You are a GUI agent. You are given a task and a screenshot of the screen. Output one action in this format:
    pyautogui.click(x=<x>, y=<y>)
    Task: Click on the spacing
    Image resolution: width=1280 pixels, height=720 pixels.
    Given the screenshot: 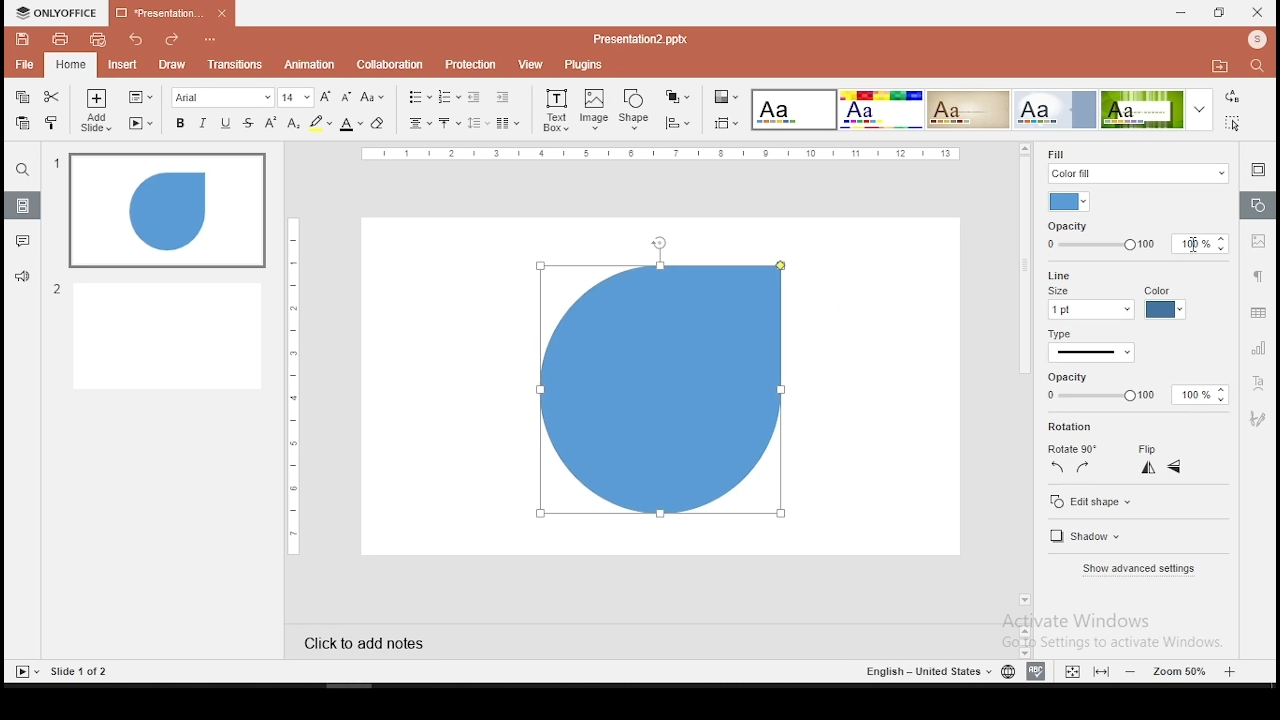 What is the action you would take?
    pyautogui.click(x=477, y=122)
    